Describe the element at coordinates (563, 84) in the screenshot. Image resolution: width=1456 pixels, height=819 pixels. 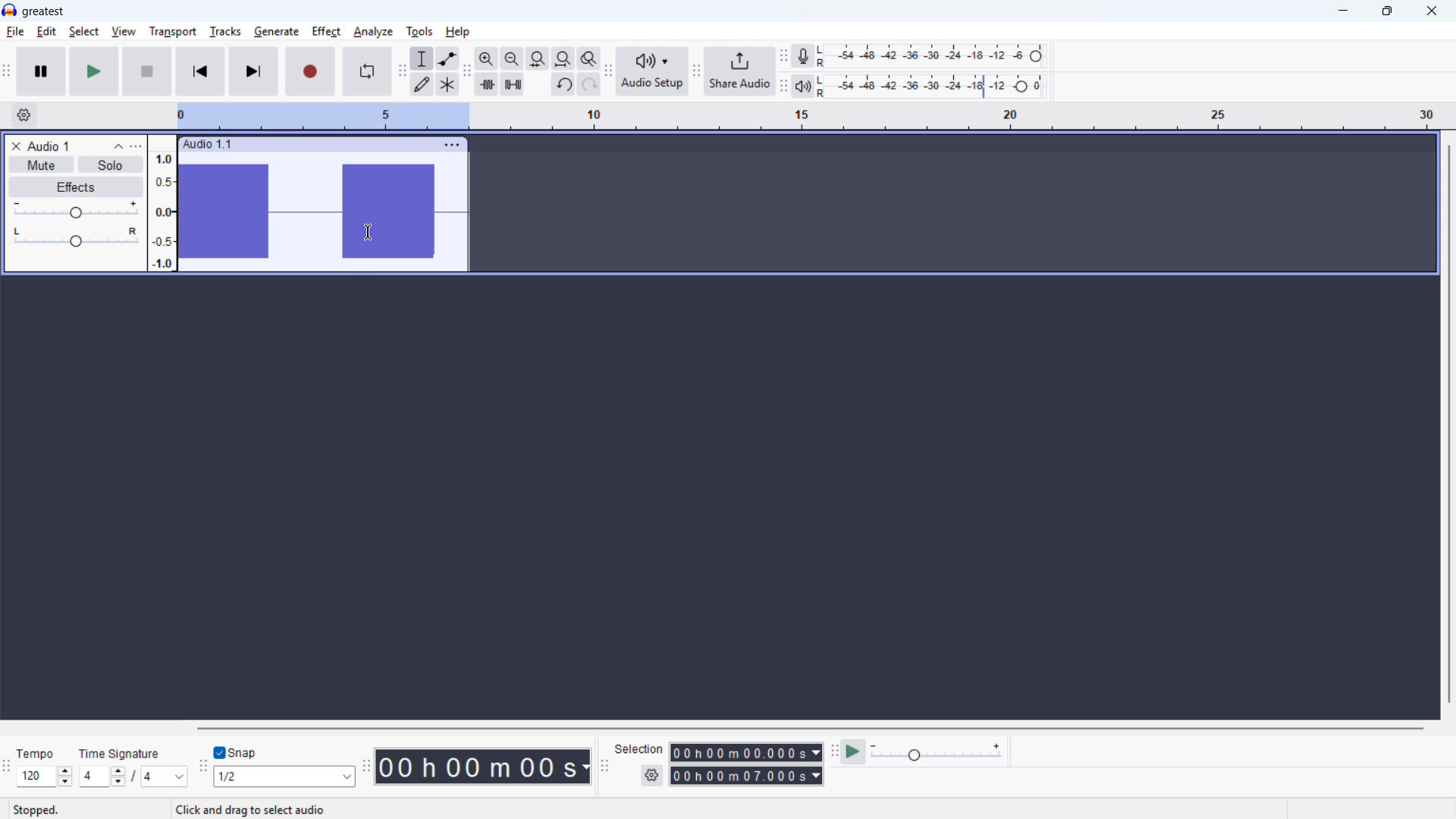
I see `Undo ` at that location.